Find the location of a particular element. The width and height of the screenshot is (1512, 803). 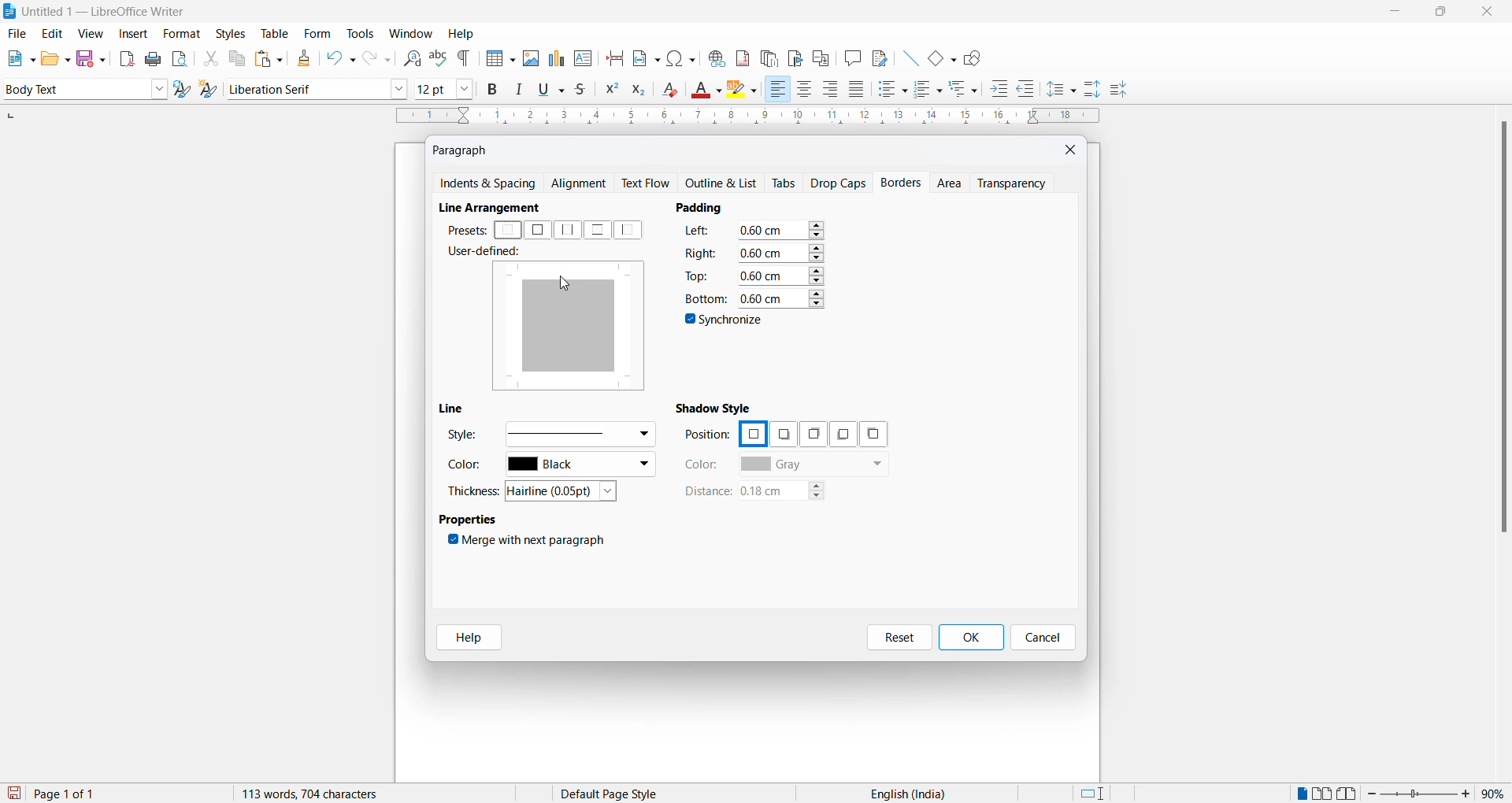

window is located at coordinates (412, 34).